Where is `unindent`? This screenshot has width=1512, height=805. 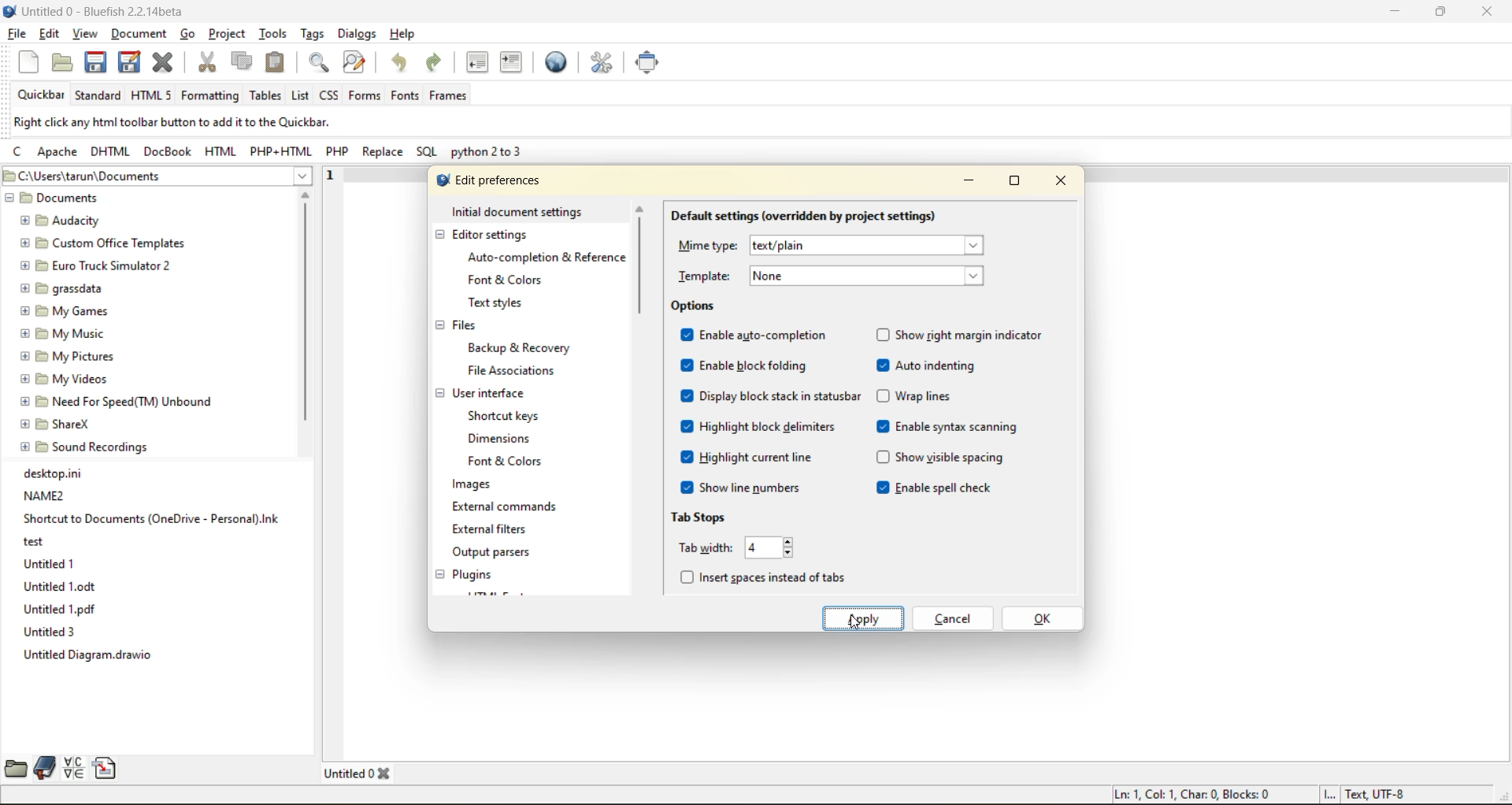 unindent is located at coordinates (477, 63).